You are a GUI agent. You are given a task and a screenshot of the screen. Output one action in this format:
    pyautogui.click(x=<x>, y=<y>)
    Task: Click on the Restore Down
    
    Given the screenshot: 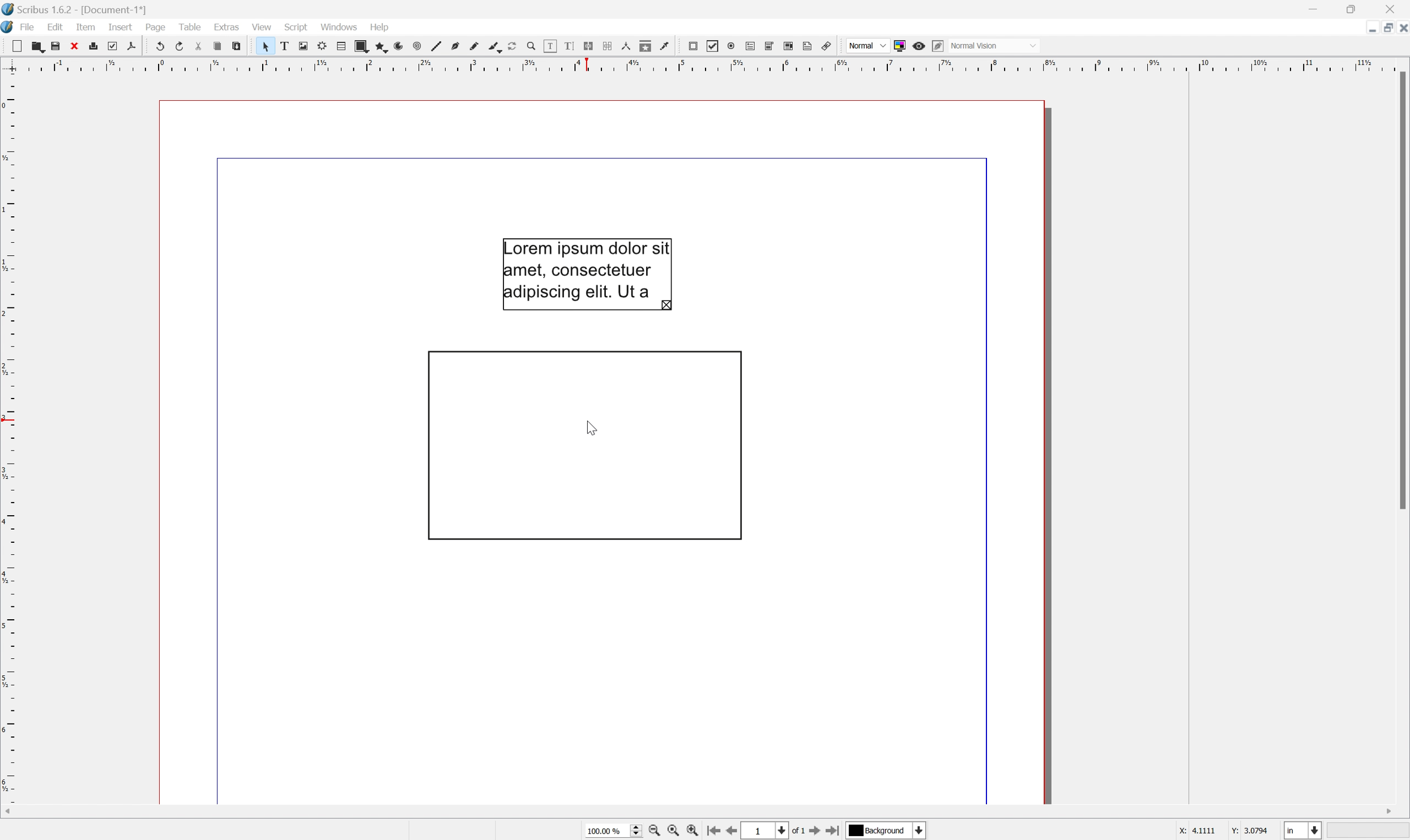 What is the action you would take?
    pyautogui.click(x=1351, y=7)
    